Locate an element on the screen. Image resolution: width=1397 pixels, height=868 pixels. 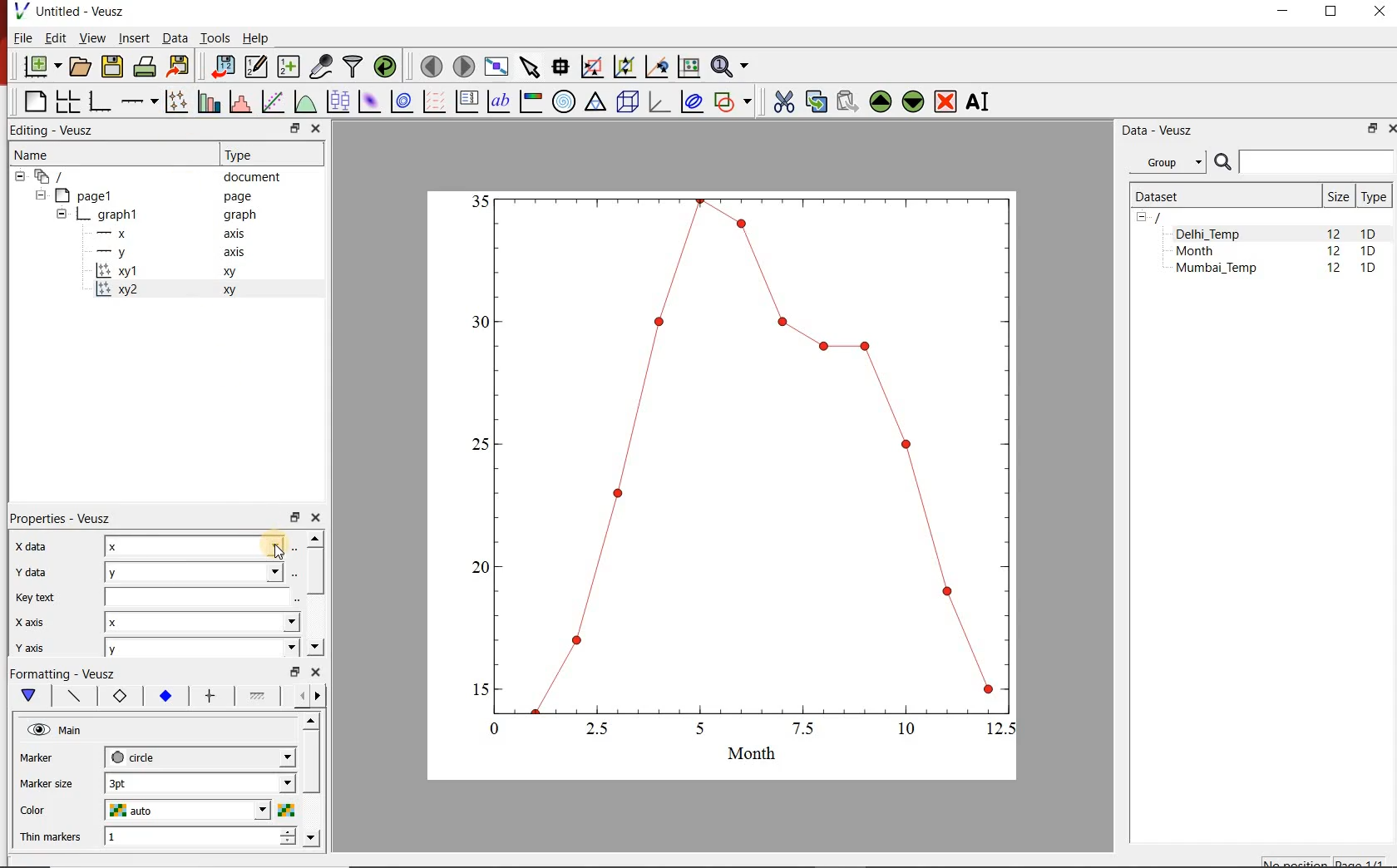
plot bar charts is located at coordinates (206, 102).